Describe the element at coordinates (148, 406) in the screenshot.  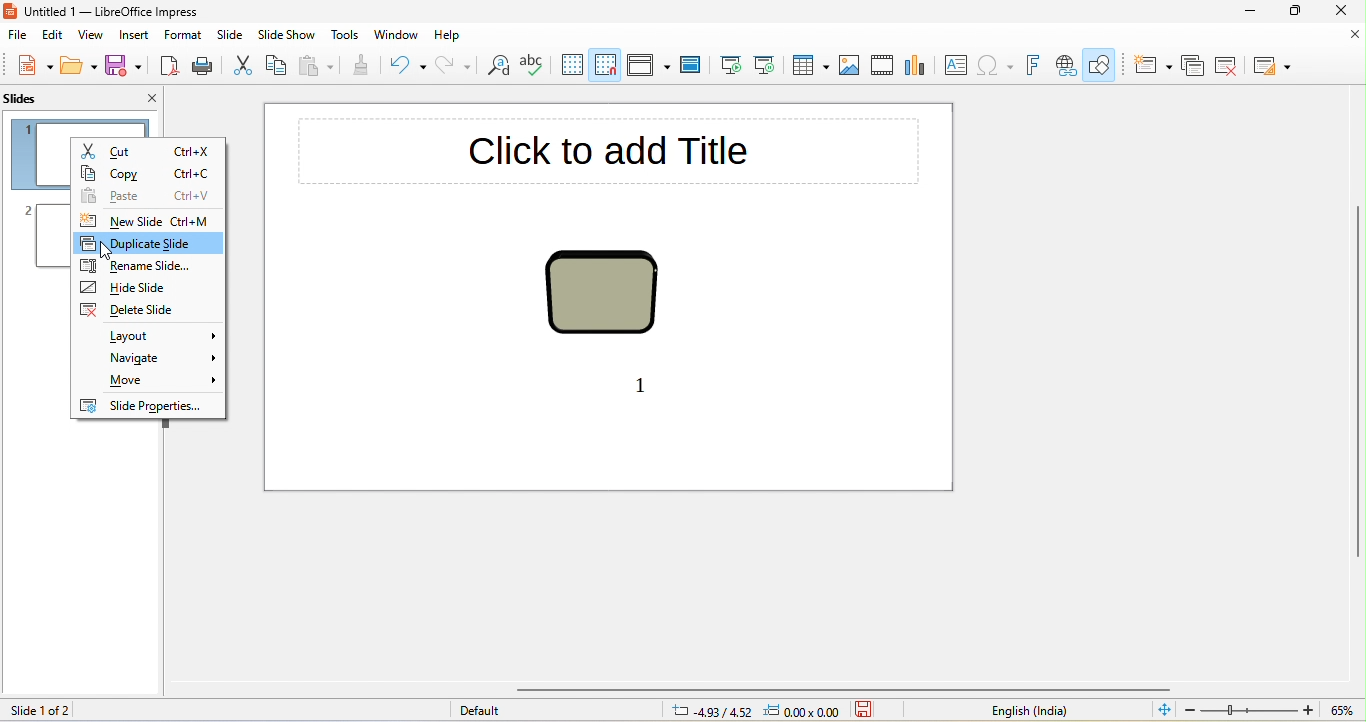
I see `slide properties` at that location.